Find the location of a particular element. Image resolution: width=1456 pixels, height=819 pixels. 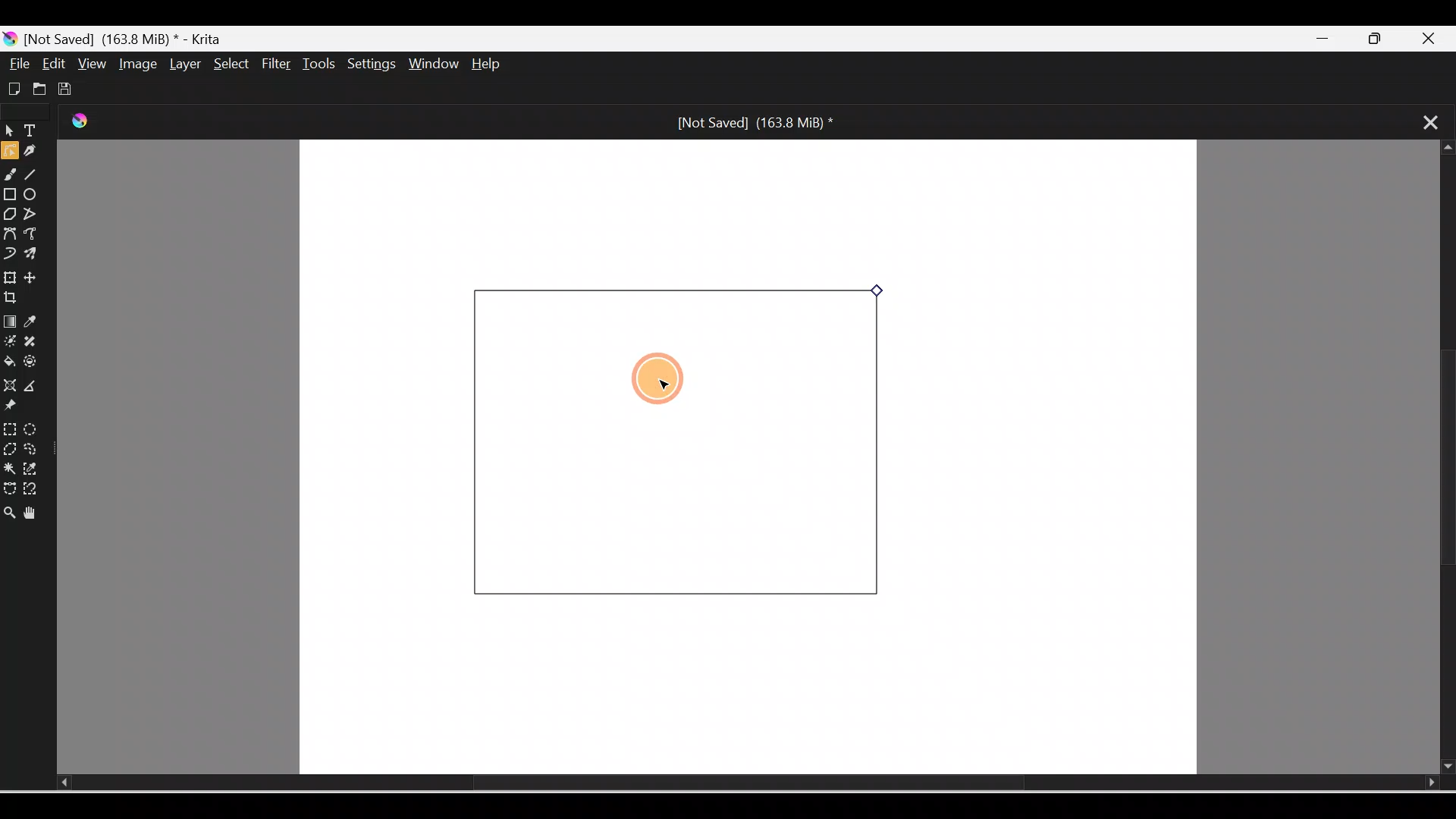

Fill a contiguous area of color with color is located at coordinates (10, 362).